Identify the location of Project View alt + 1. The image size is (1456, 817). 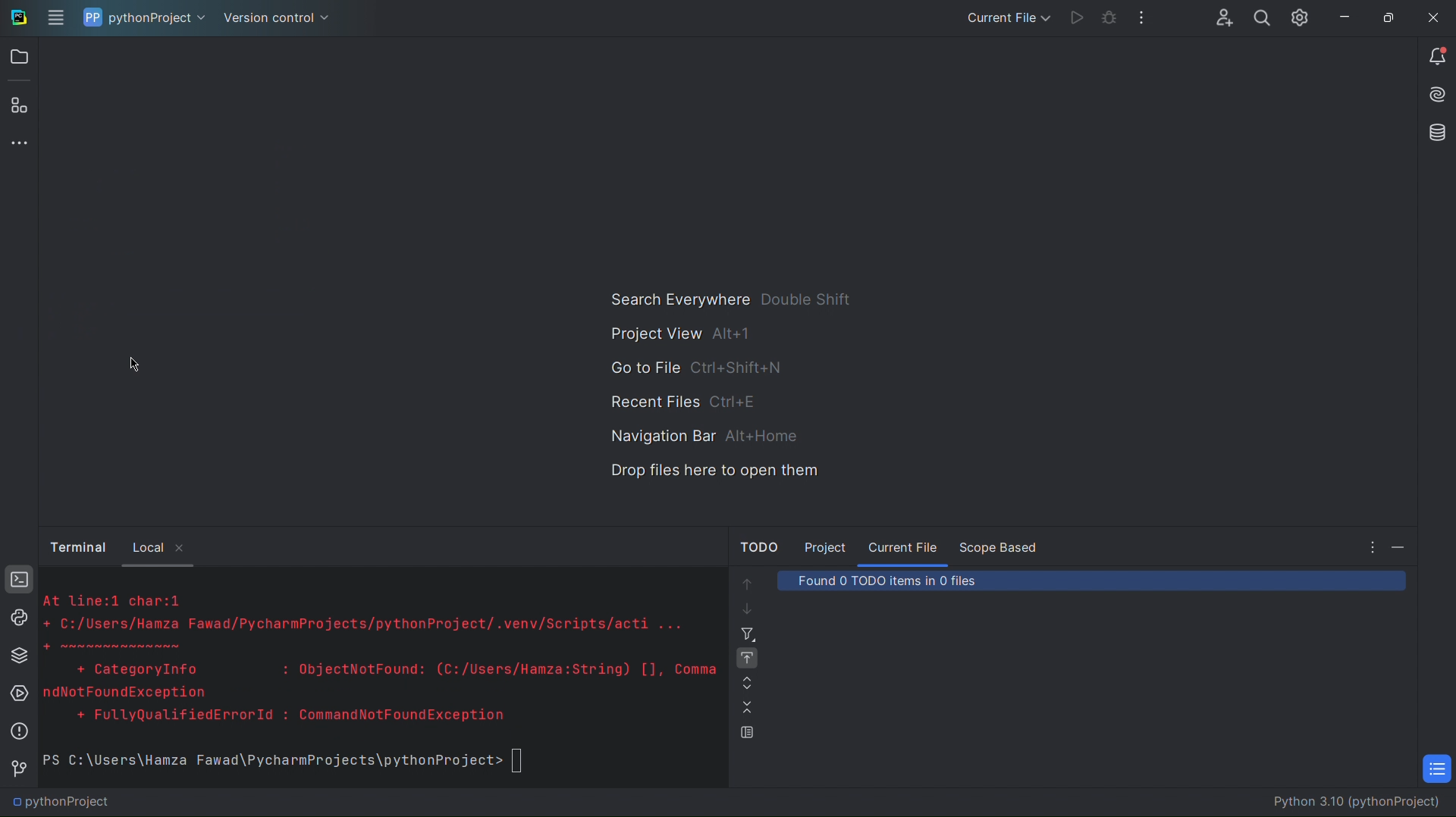
(675, 334).